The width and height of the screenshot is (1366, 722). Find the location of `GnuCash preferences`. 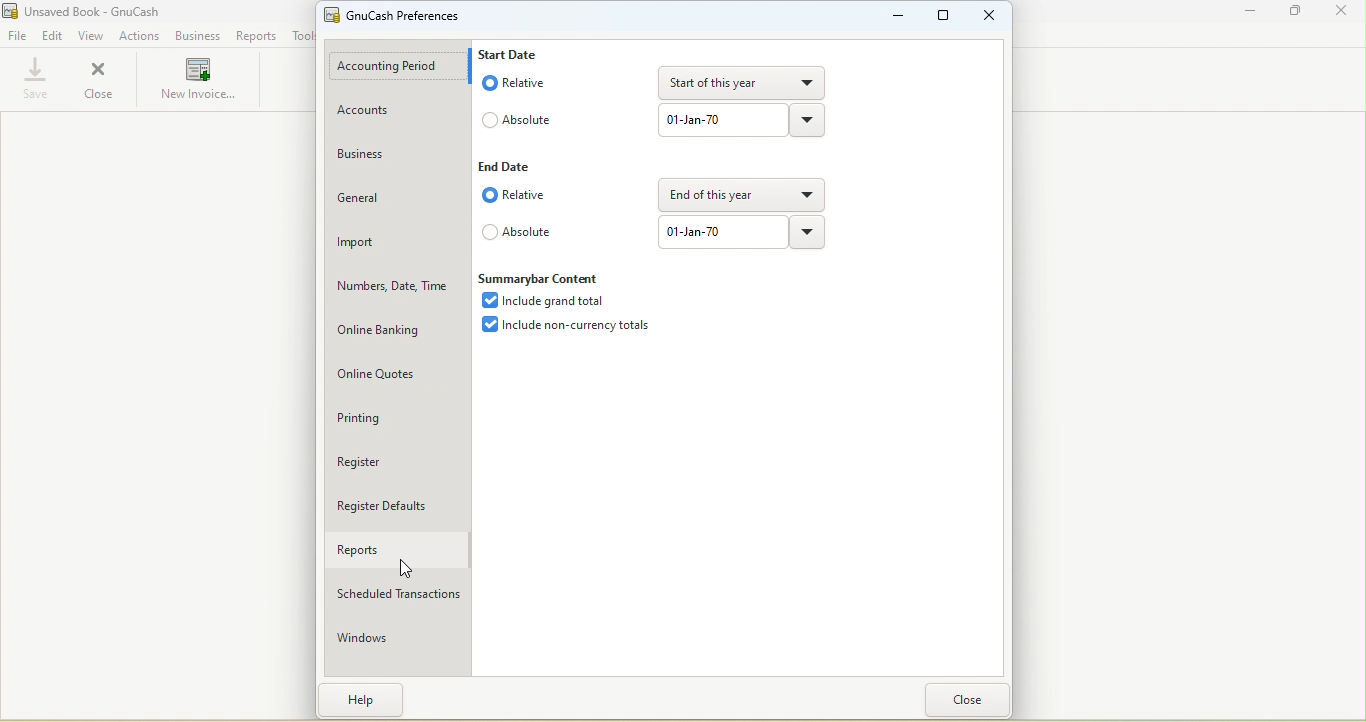

GnuCash preferences is located at coordinates (400, 16).